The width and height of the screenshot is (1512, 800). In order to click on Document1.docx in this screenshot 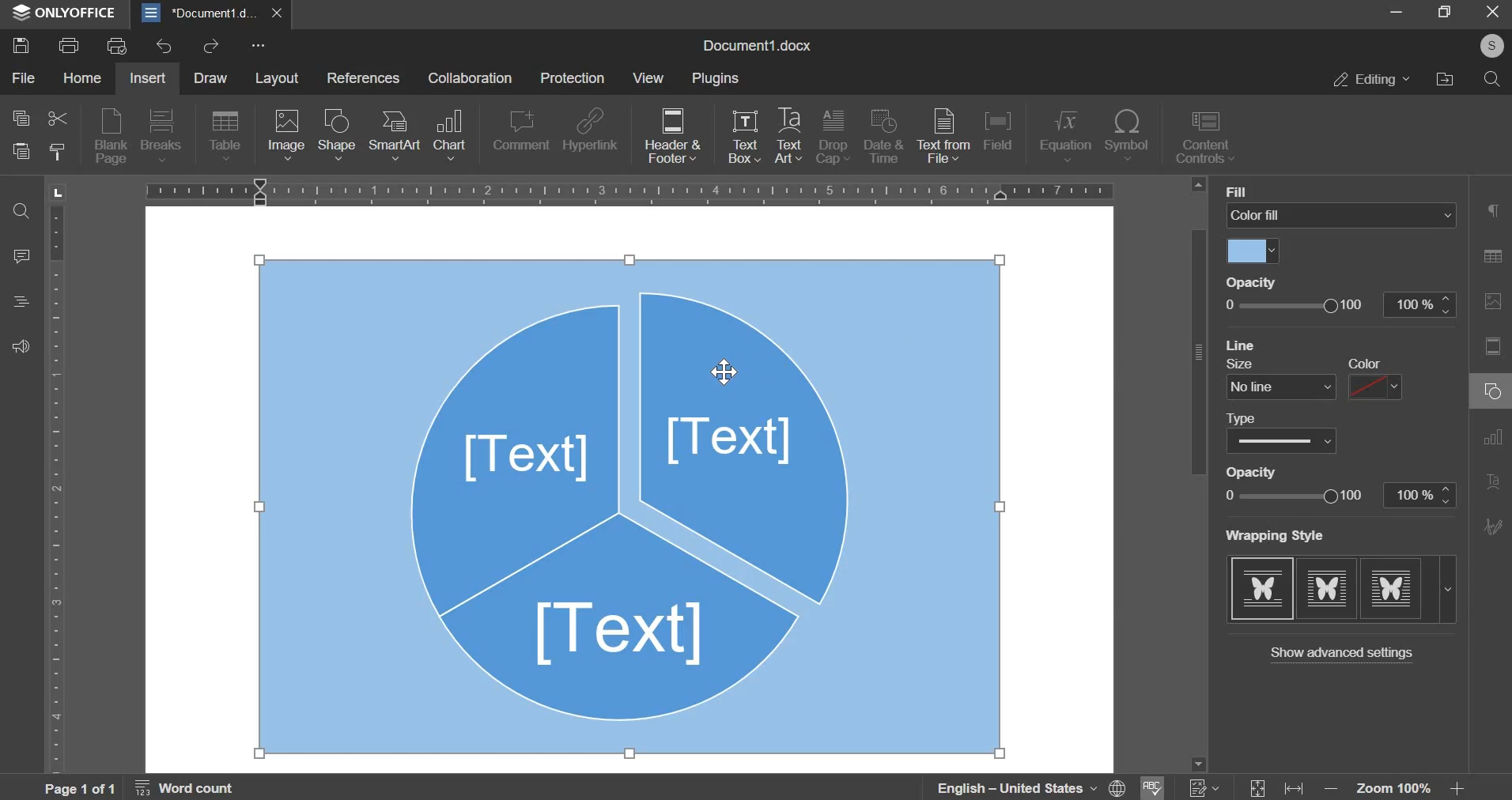, I will do `click(756, 44)`.